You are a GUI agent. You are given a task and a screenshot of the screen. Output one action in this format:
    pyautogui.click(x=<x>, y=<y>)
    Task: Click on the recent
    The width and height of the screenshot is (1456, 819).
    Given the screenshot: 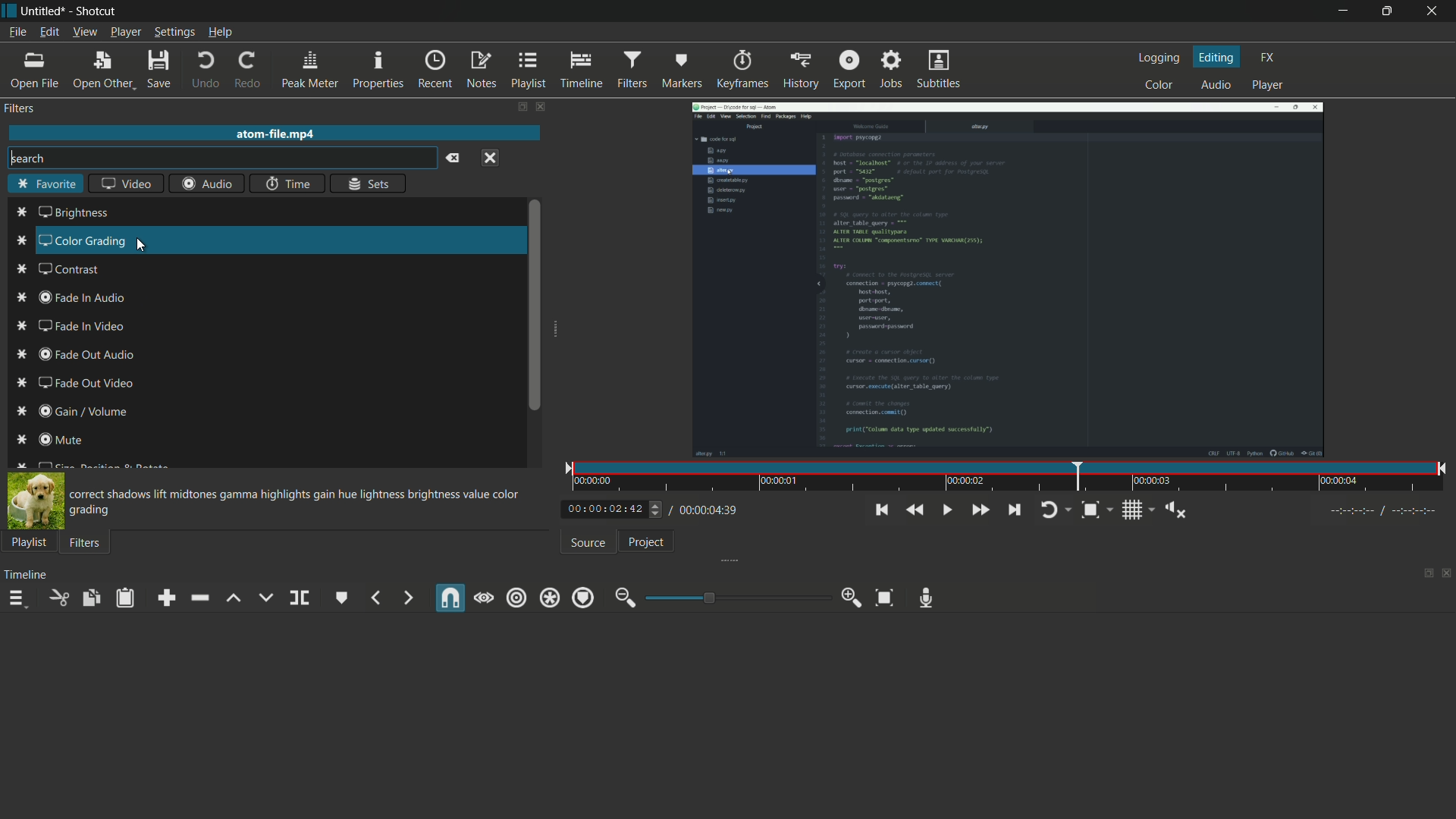 What is the action you would take?
    pyautogui.click(x=435, y=70)
    